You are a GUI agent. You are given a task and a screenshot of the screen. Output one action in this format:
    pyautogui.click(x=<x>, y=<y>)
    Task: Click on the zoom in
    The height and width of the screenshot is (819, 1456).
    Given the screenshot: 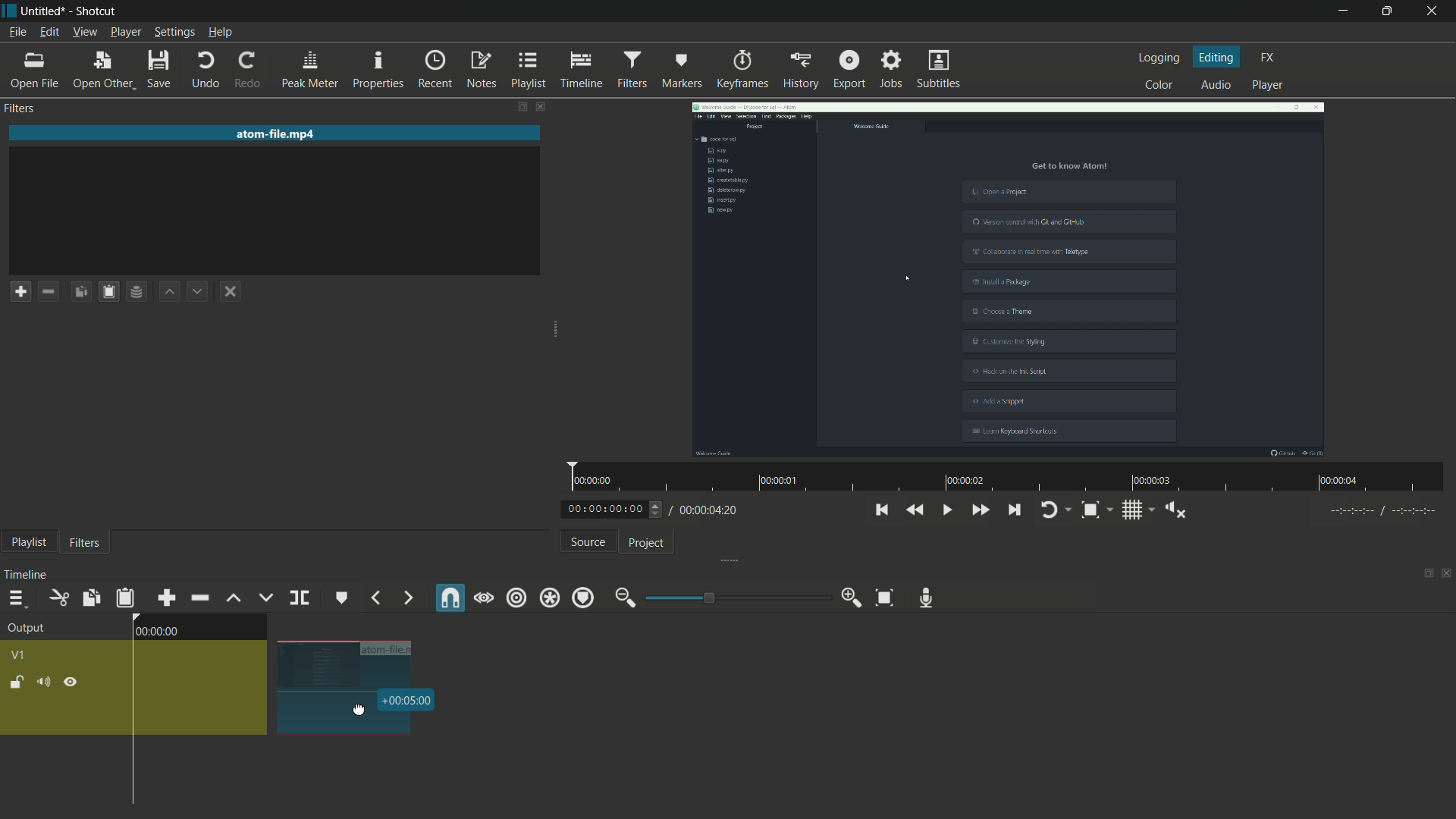 What is the action you would take?
    pyautogui.click(x=849, y=598)
    